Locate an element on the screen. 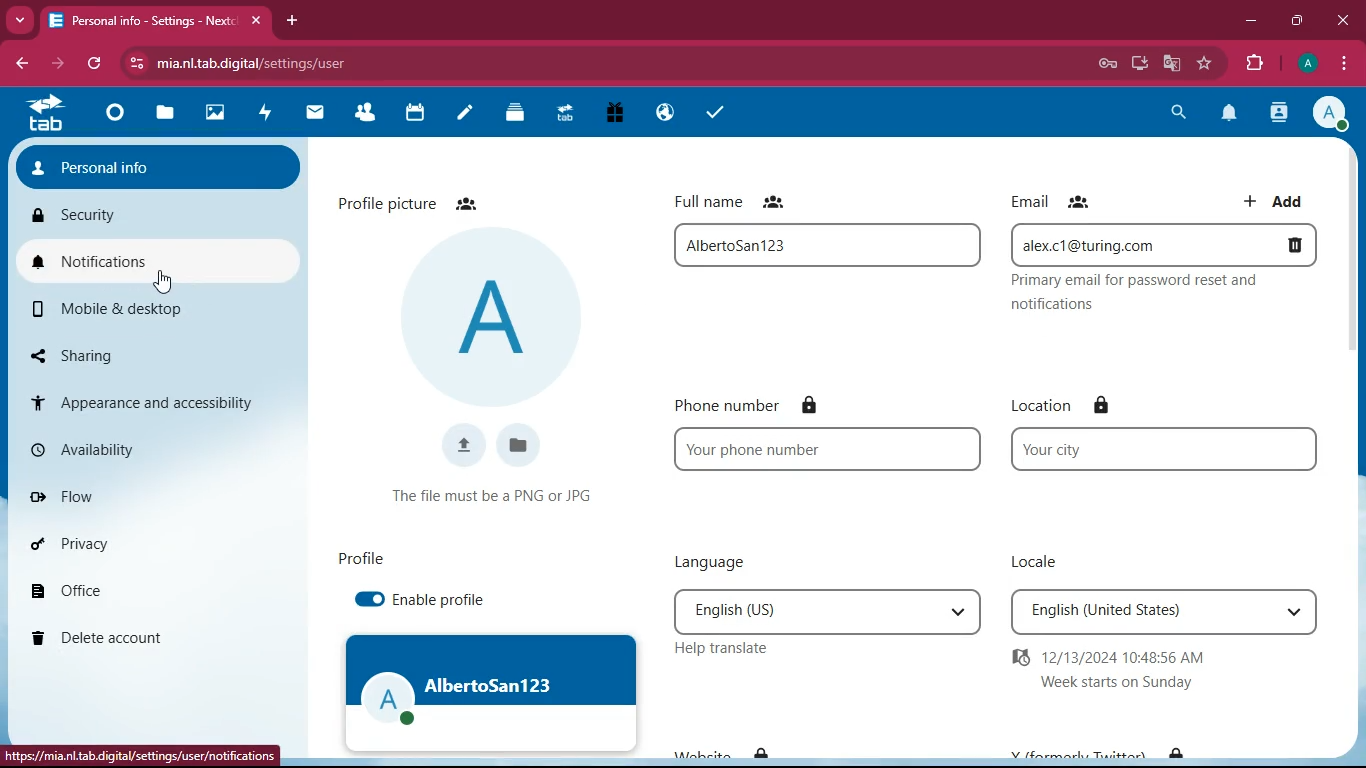  minimize is located at coordinates (1250, 22).